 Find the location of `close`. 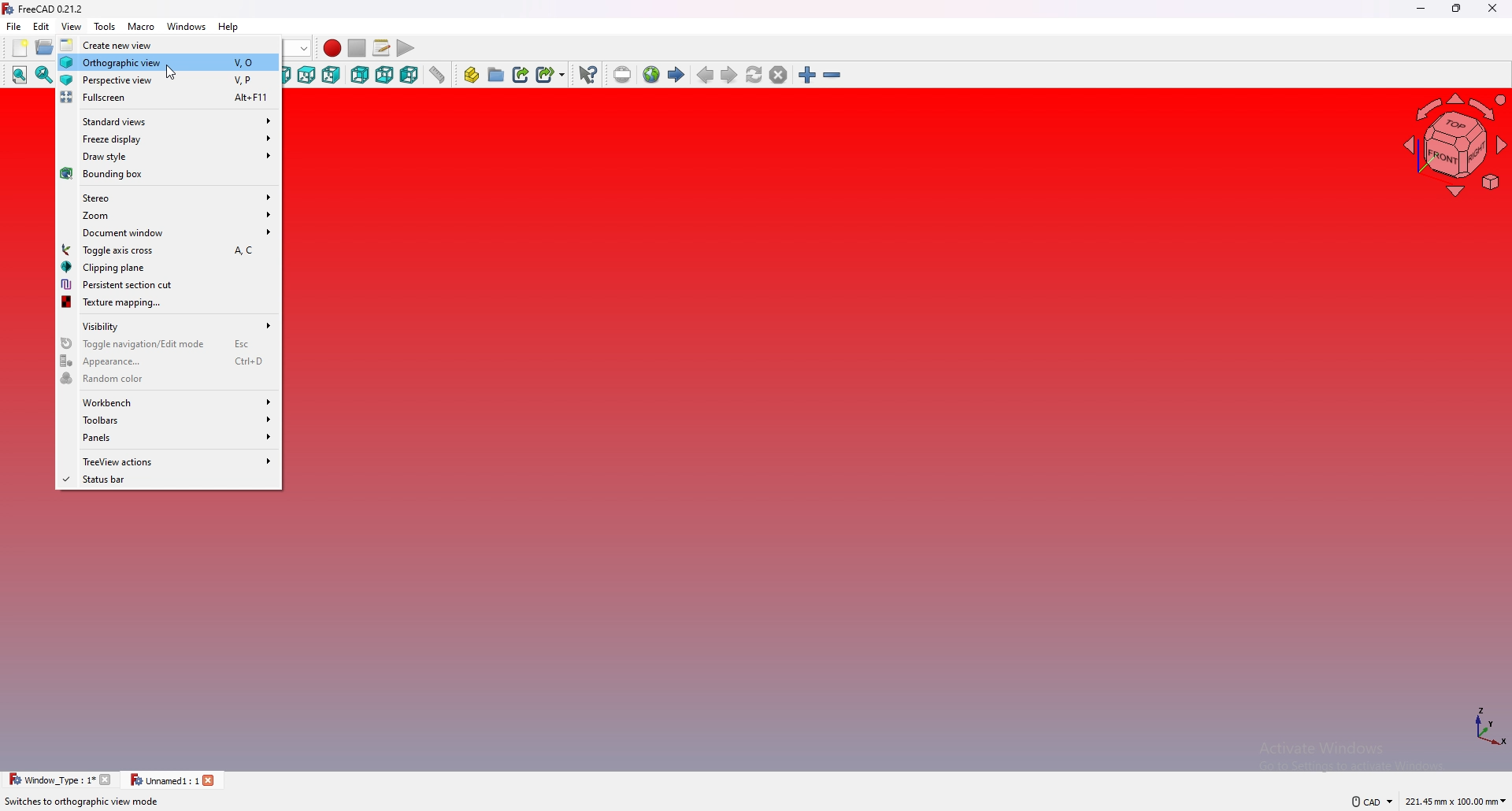

close is located at coordinates (109, 780).